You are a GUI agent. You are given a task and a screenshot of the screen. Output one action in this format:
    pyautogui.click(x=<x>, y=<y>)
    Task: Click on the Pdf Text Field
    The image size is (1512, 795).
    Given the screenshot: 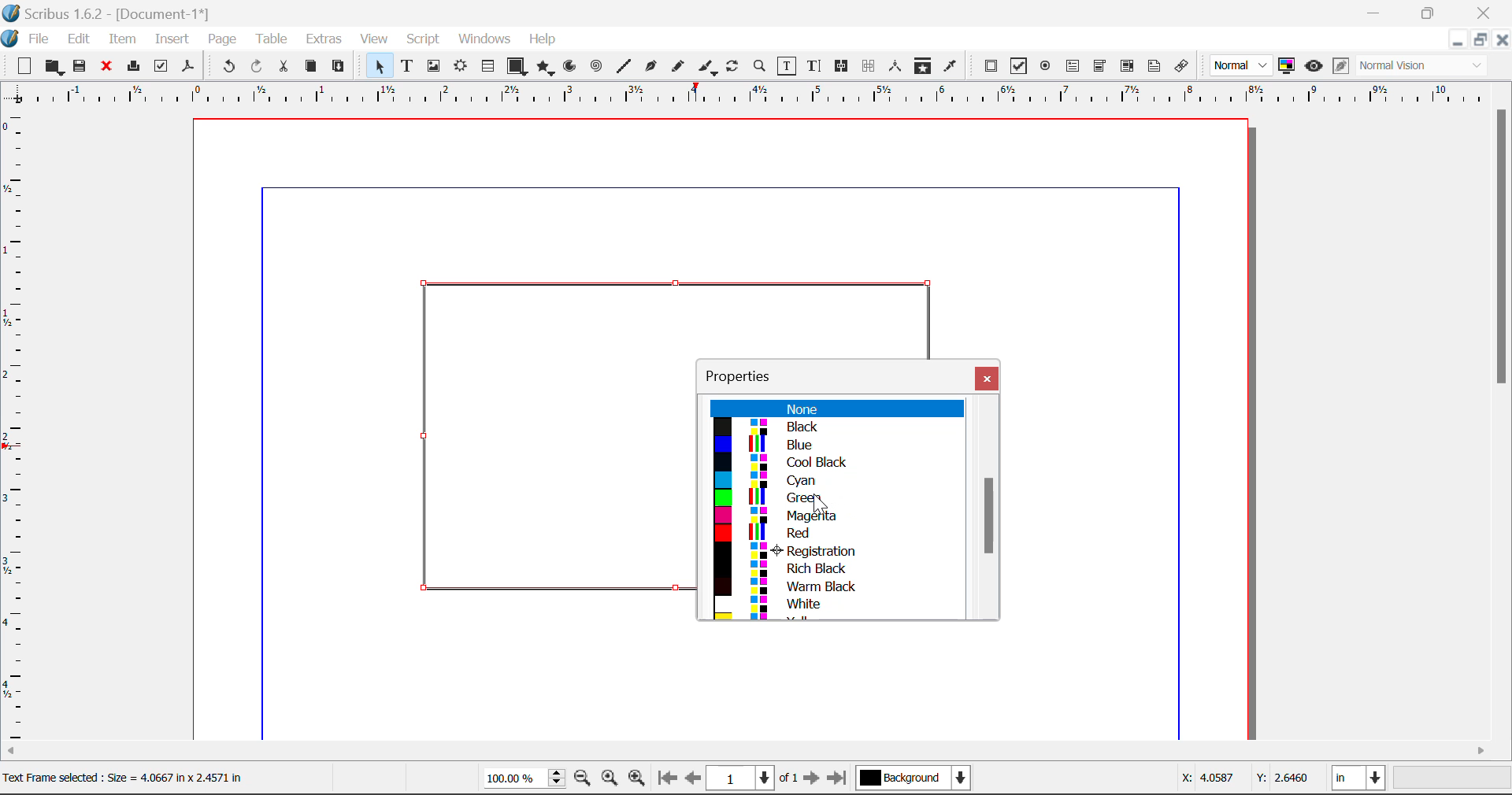 What is the action you would take?
    pyautogui.click(x=1073, y=65)
    